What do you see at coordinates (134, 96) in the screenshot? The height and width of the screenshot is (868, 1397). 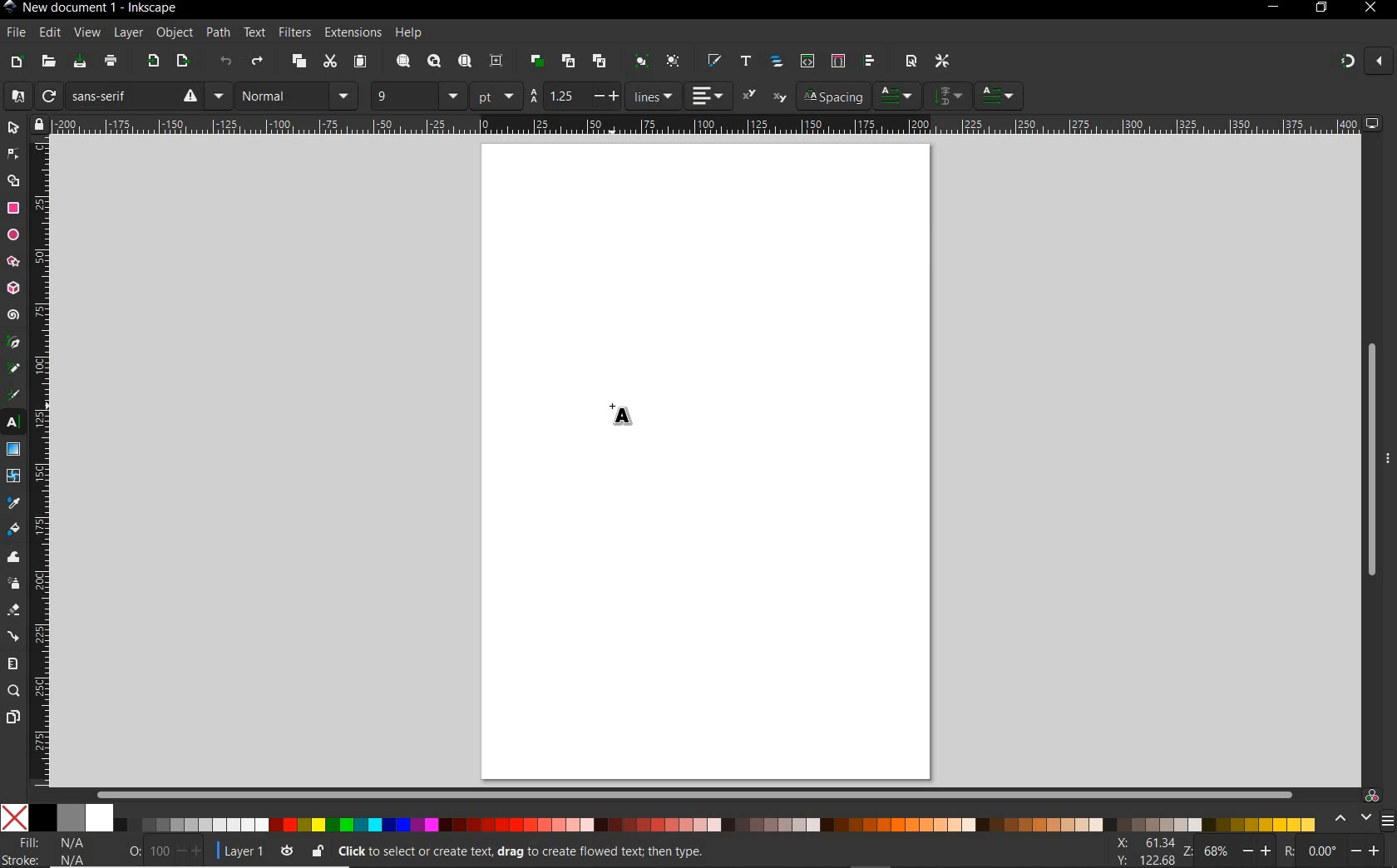 I see `sans-serif` at bounding box center [134, 96].